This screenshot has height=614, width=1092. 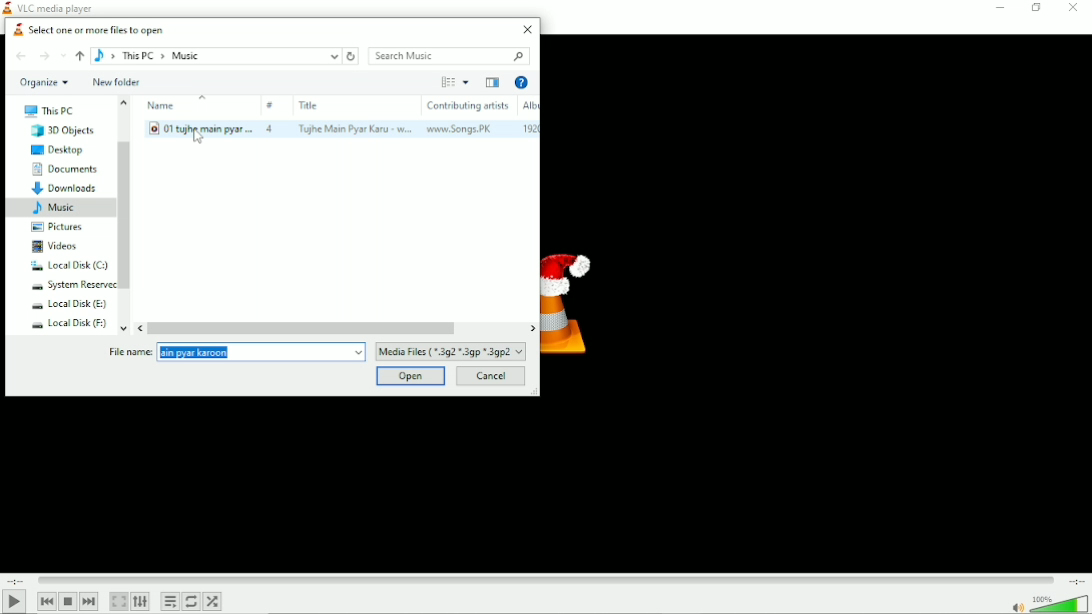 I want to click on move up, so click(x=127, y=100).